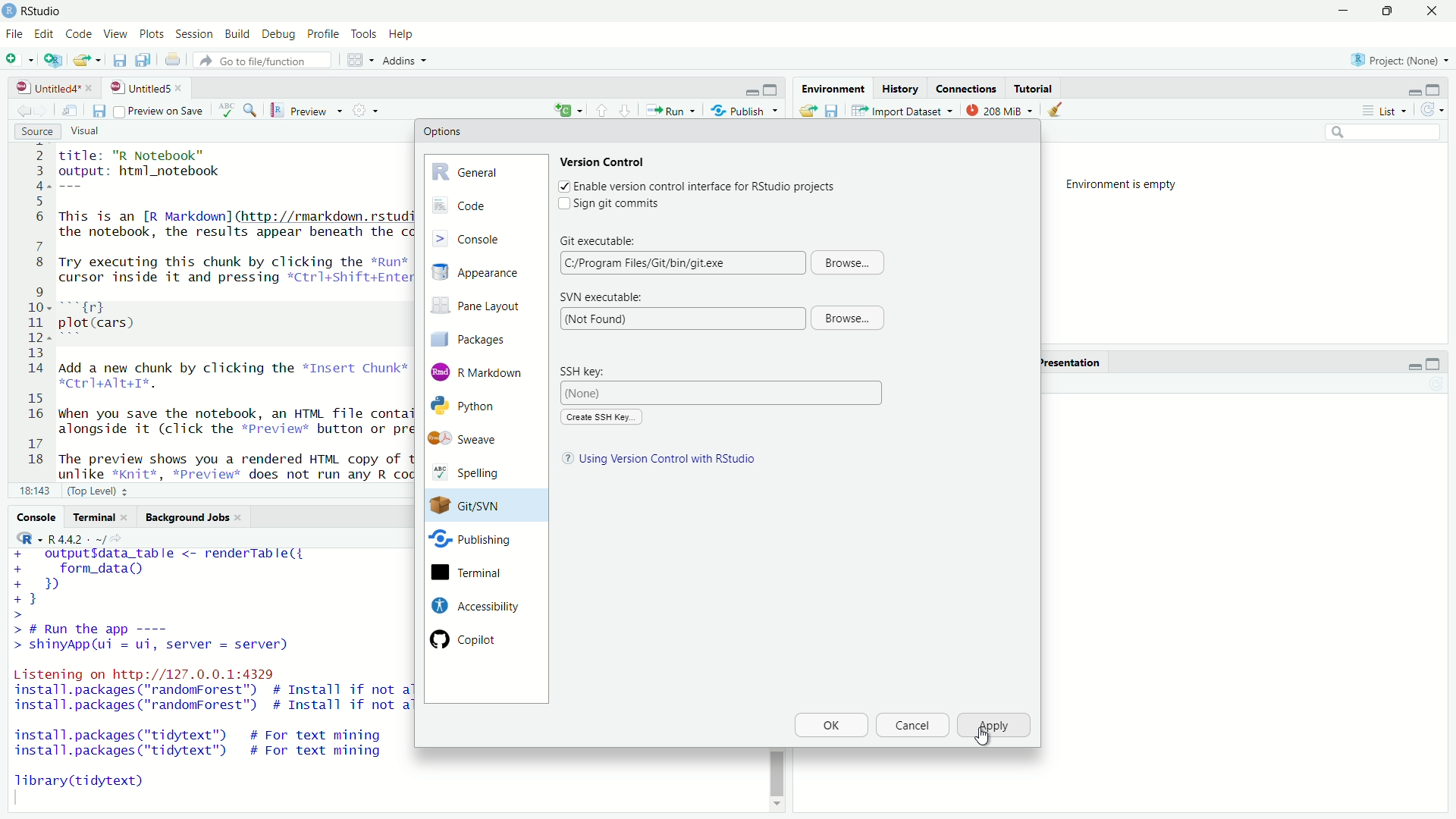 The height and width of the screenshot is (819, 1456). Describe the element at coordinates (1437, 89) in the screenshot. I see `maximize` at that location.